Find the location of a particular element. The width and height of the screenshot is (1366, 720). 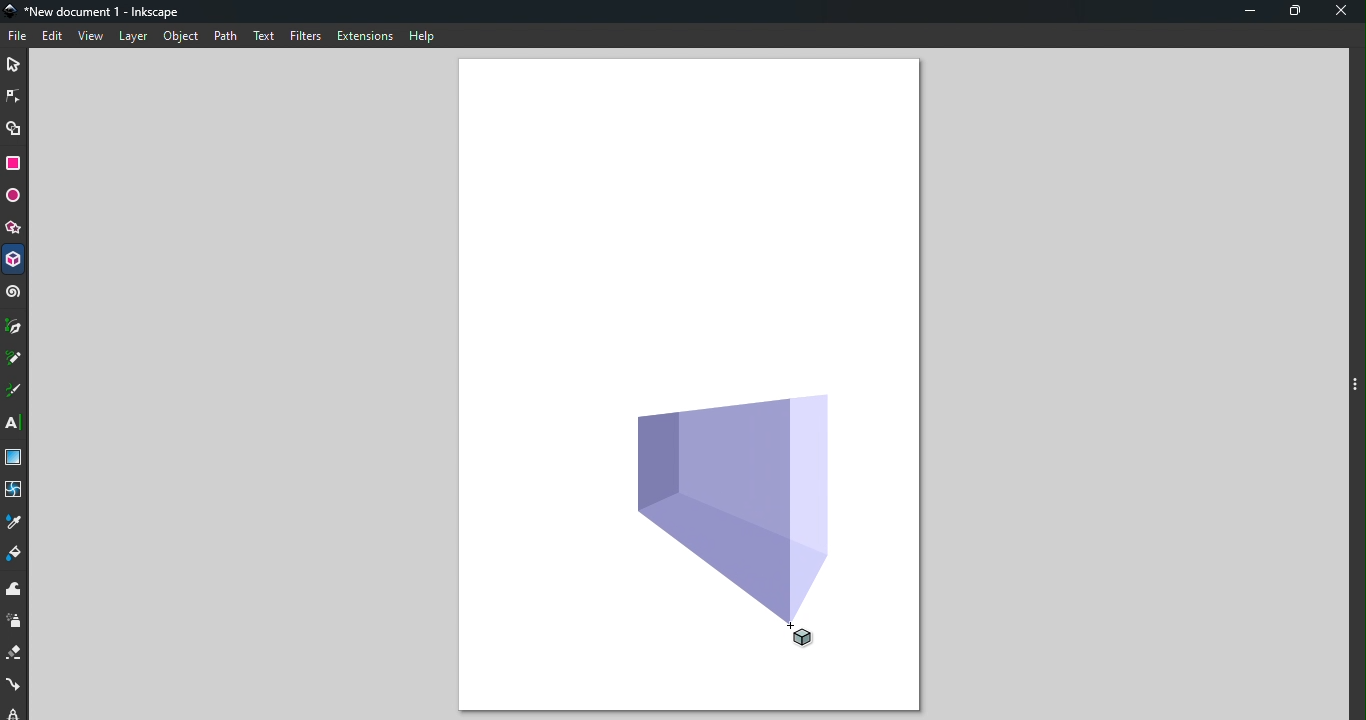

Calligraphy tool is located at coordinates (16, 392).